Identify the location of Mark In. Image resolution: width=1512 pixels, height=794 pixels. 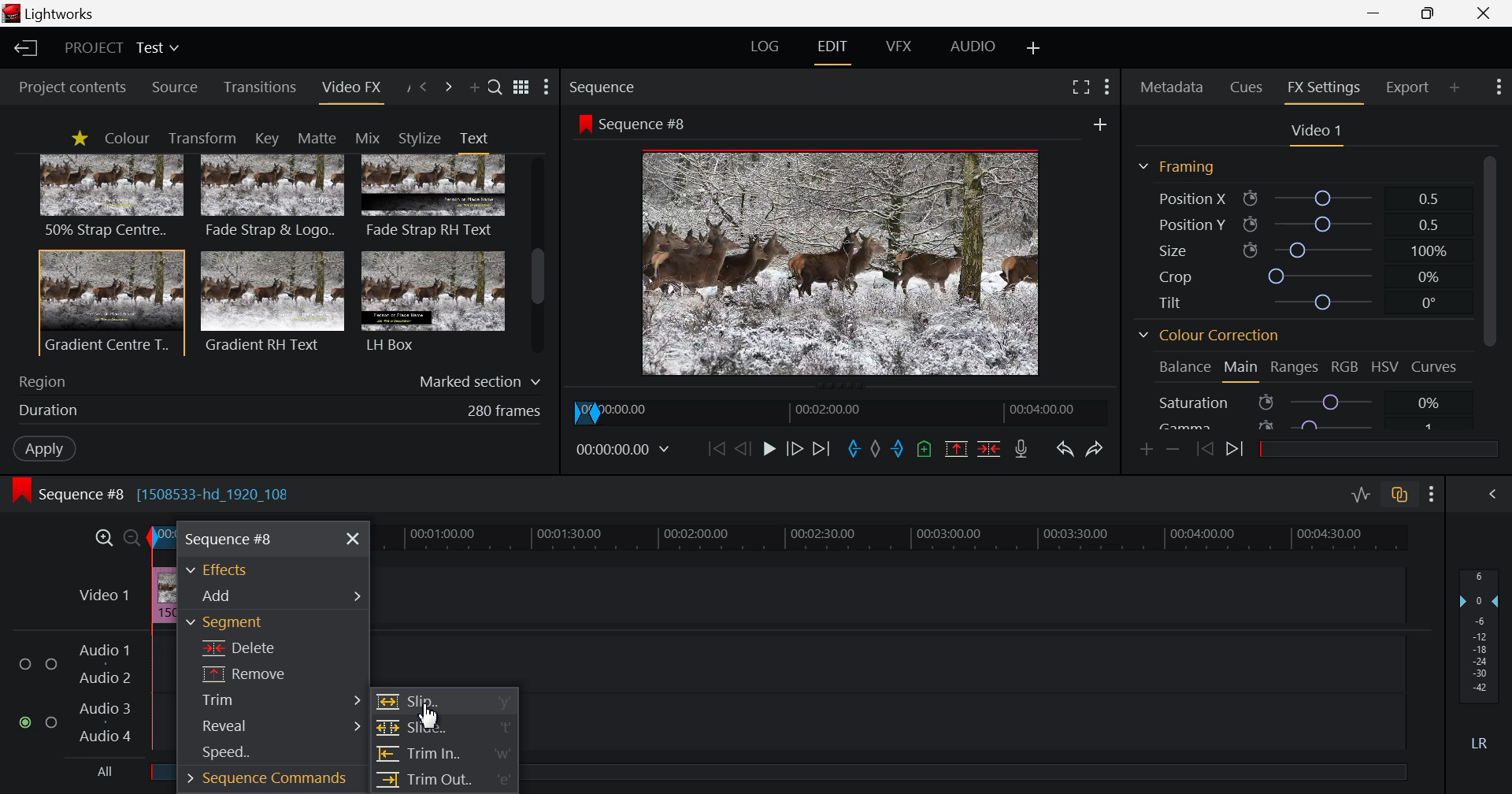
(851, 447).